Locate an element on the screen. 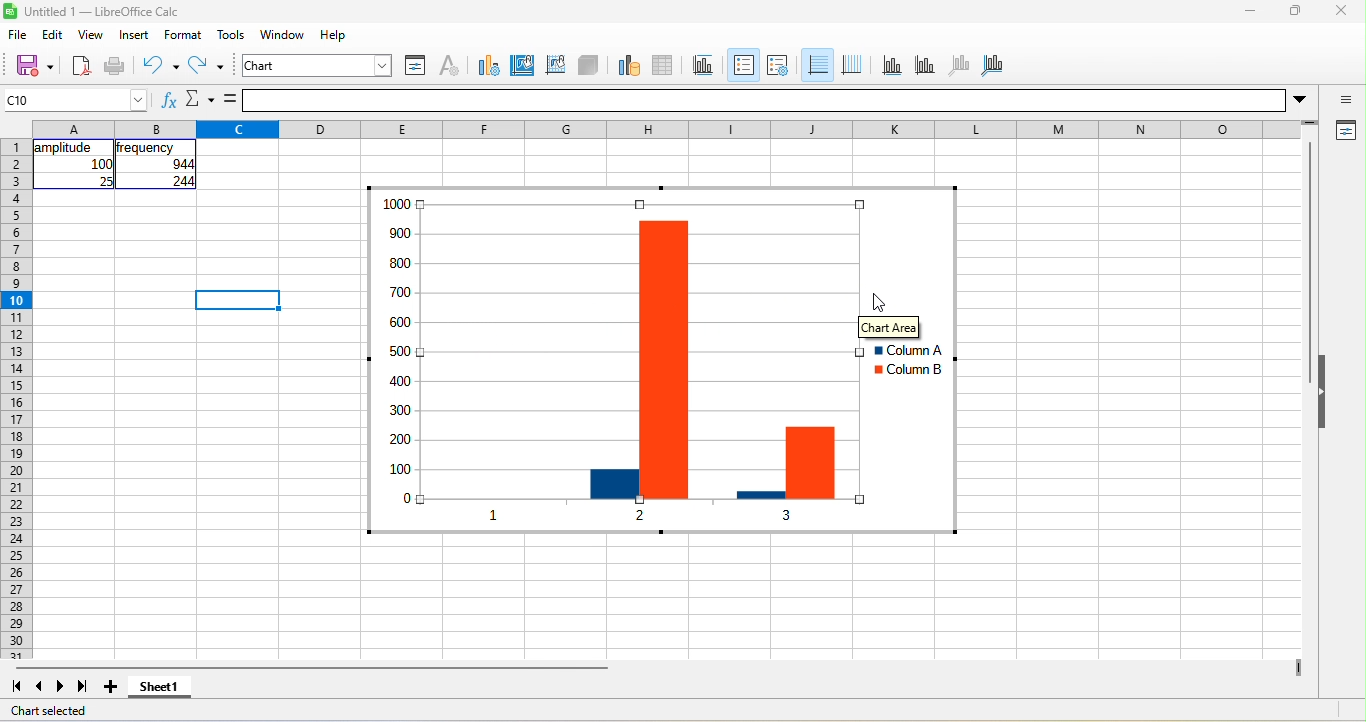 The image size is (1366, 722). window is located at coordinates (286, 36).